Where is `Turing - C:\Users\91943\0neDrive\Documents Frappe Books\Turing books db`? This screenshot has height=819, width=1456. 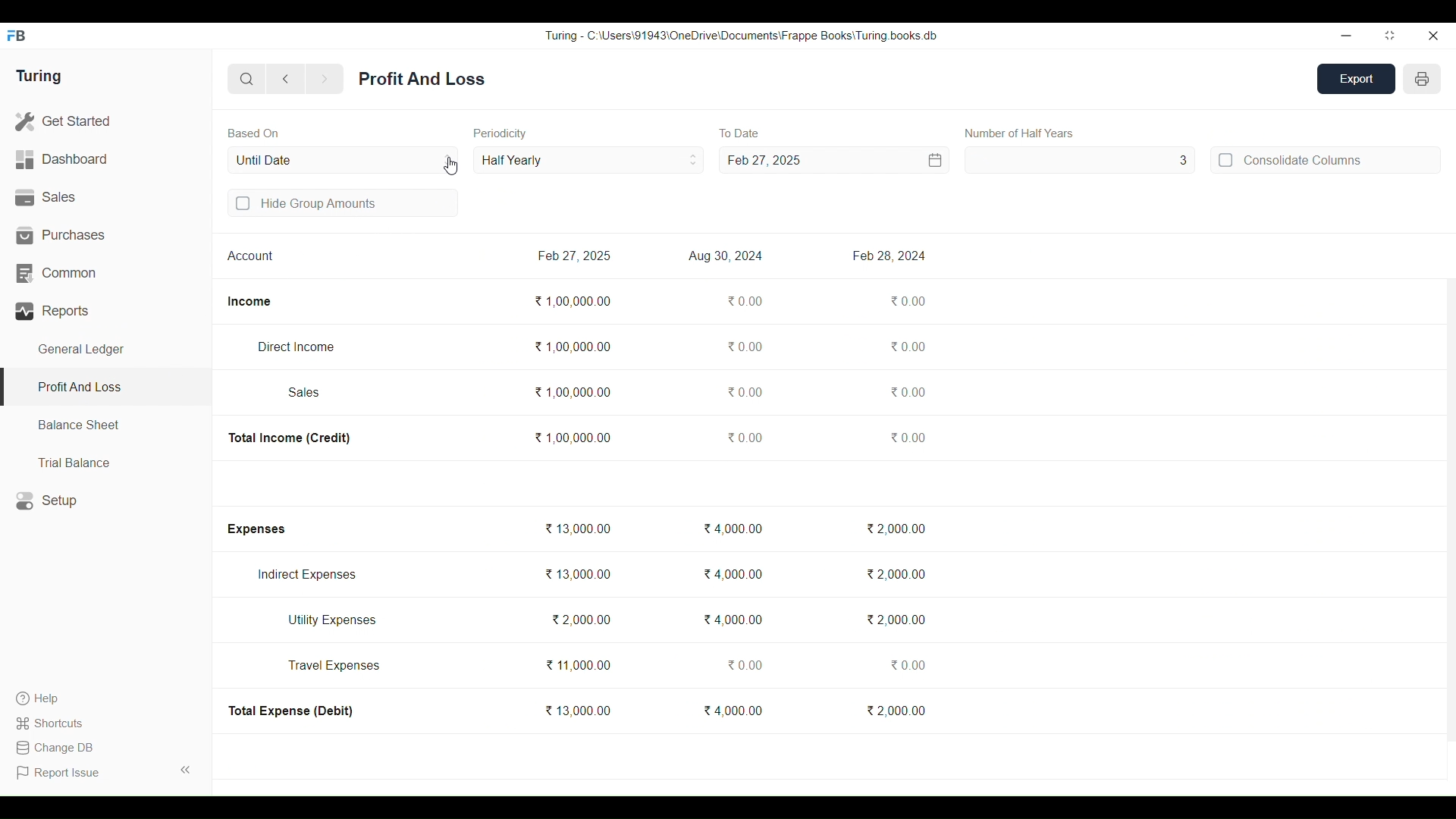 Turing - C:\Users\91943\0neDrive\Documents Frappe Books\Turing books db is located at coordinates (742, 35).